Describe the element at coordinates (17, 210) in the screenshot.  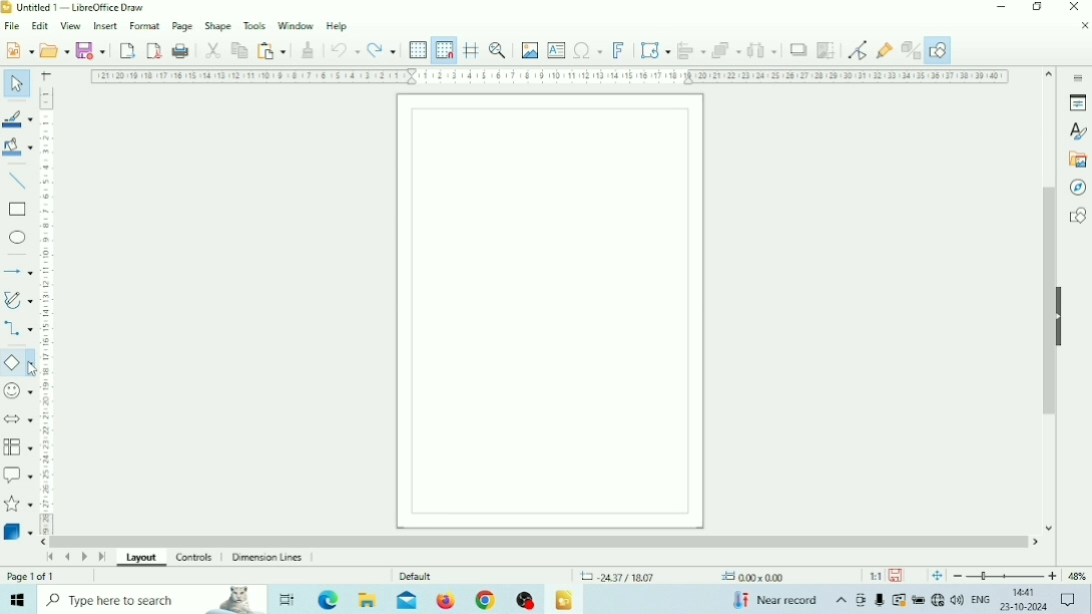
I see `Rectangle` at that location.